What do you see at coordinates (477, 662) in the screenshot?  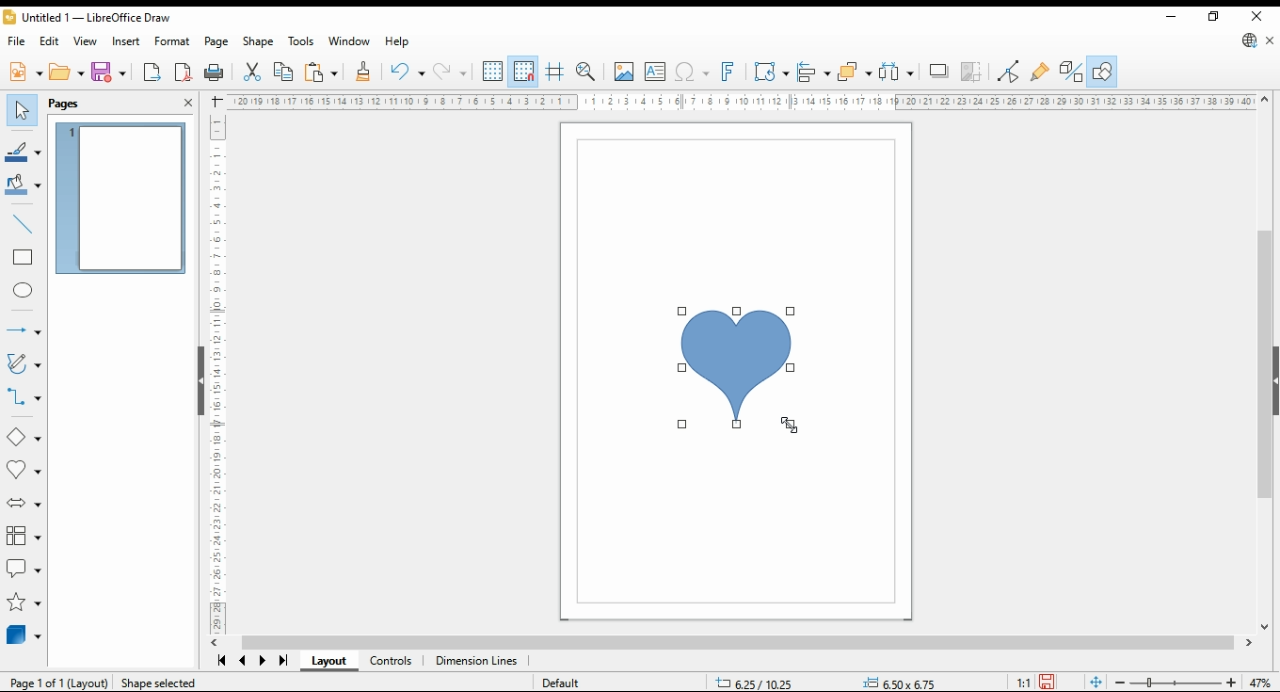 I see `dimension lines` at bounding box center [477, 662].